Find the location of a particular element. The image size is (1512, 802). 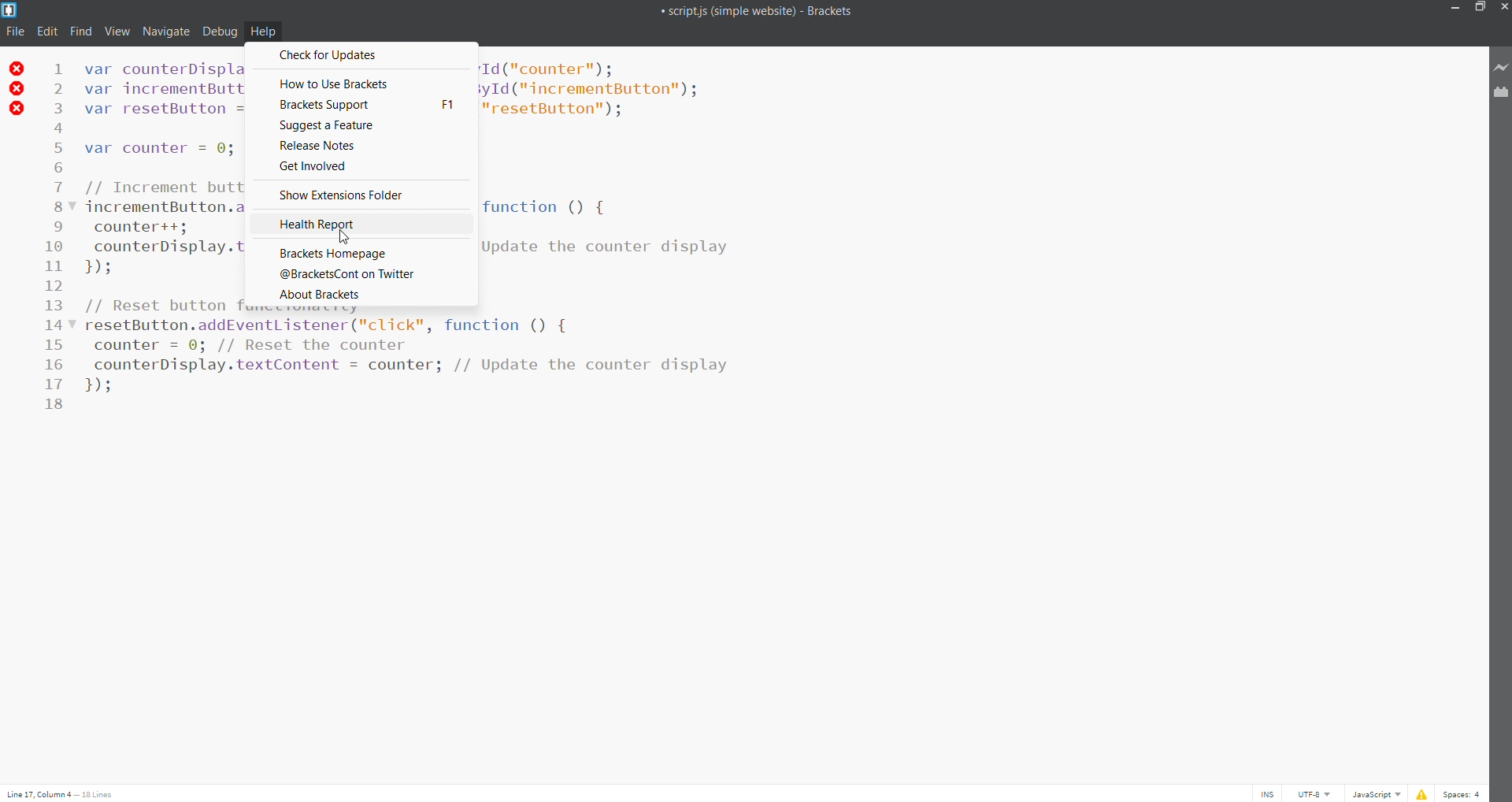

brackets homepage is located at coordinates (361, 251).